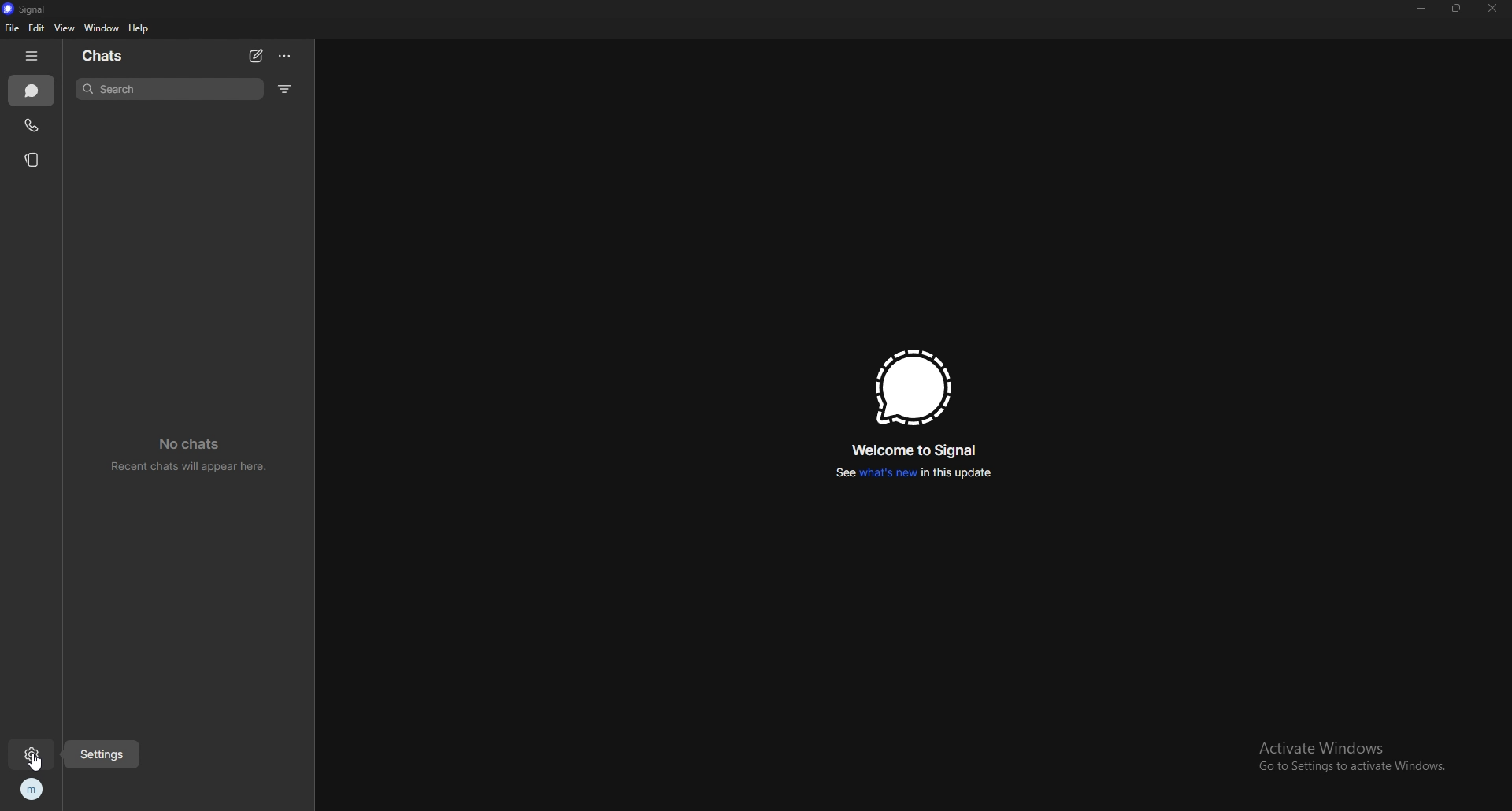  What do you see at coordinates (64, 28) in the screenshot?
I see `view` at bounding box center [64, 28].